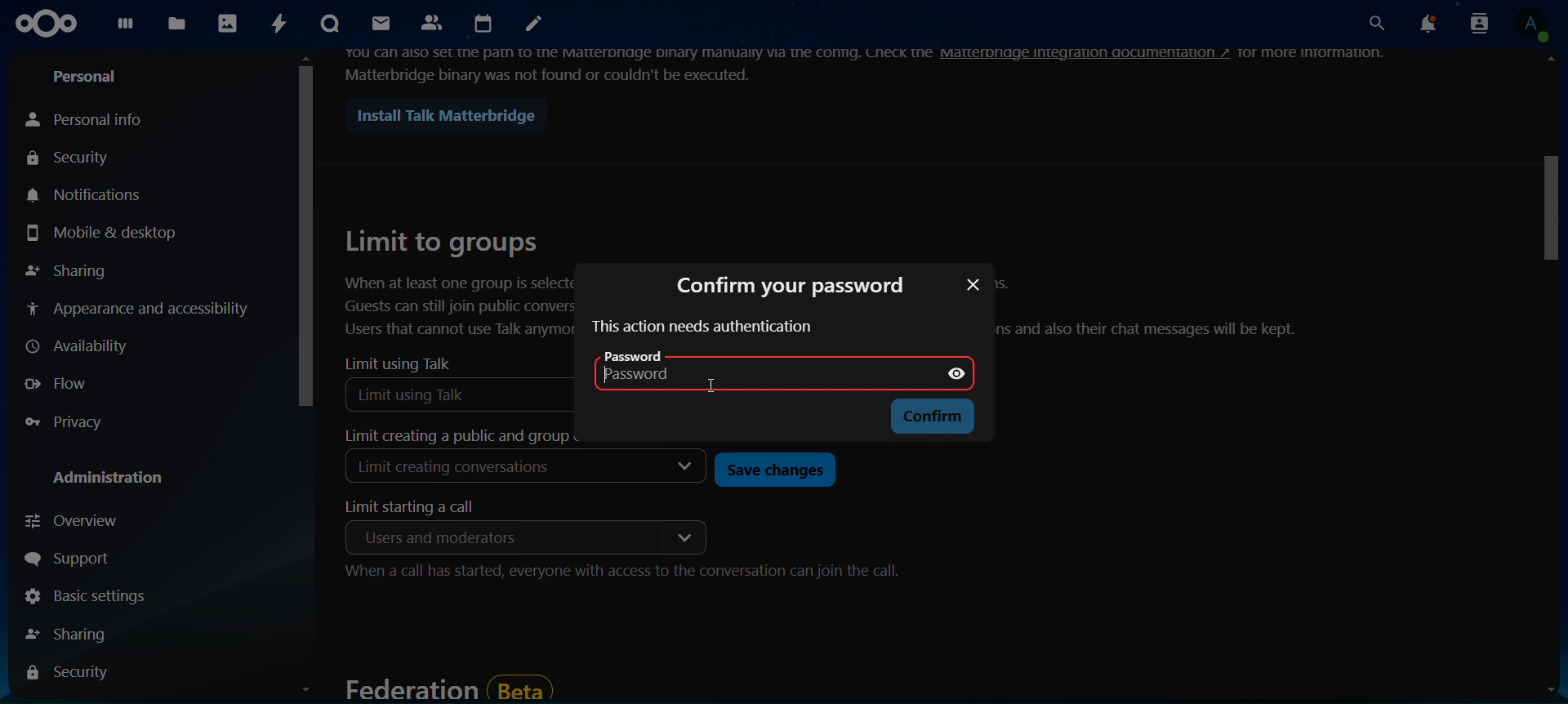 This screenshot has height=704, width=1568. Describe the element at coordinates (612, 384) in the screenshot. I see `text cursor` at that location.